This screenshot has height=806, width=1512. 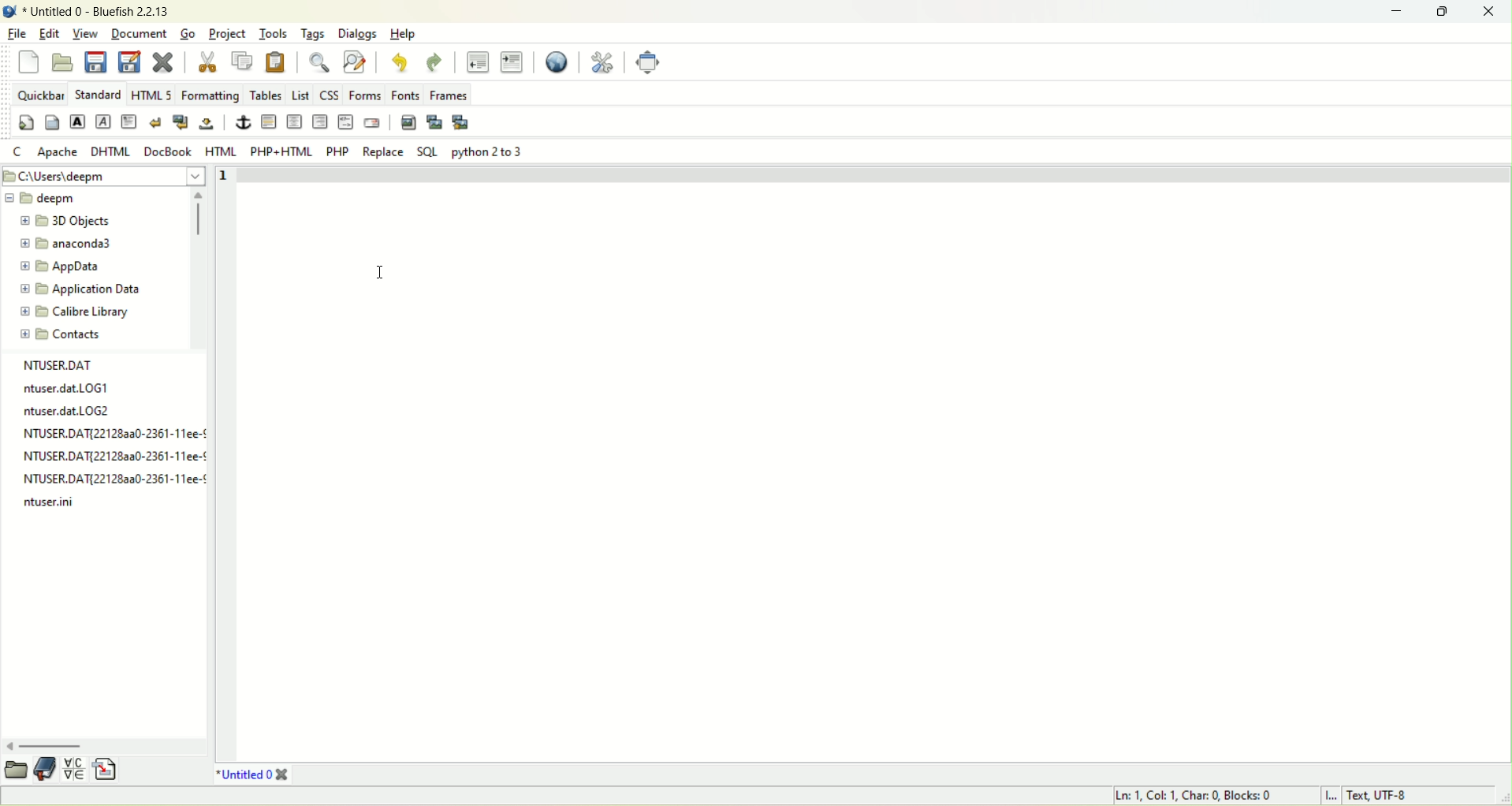 I want to click on new file, so click(x=30, y=62).